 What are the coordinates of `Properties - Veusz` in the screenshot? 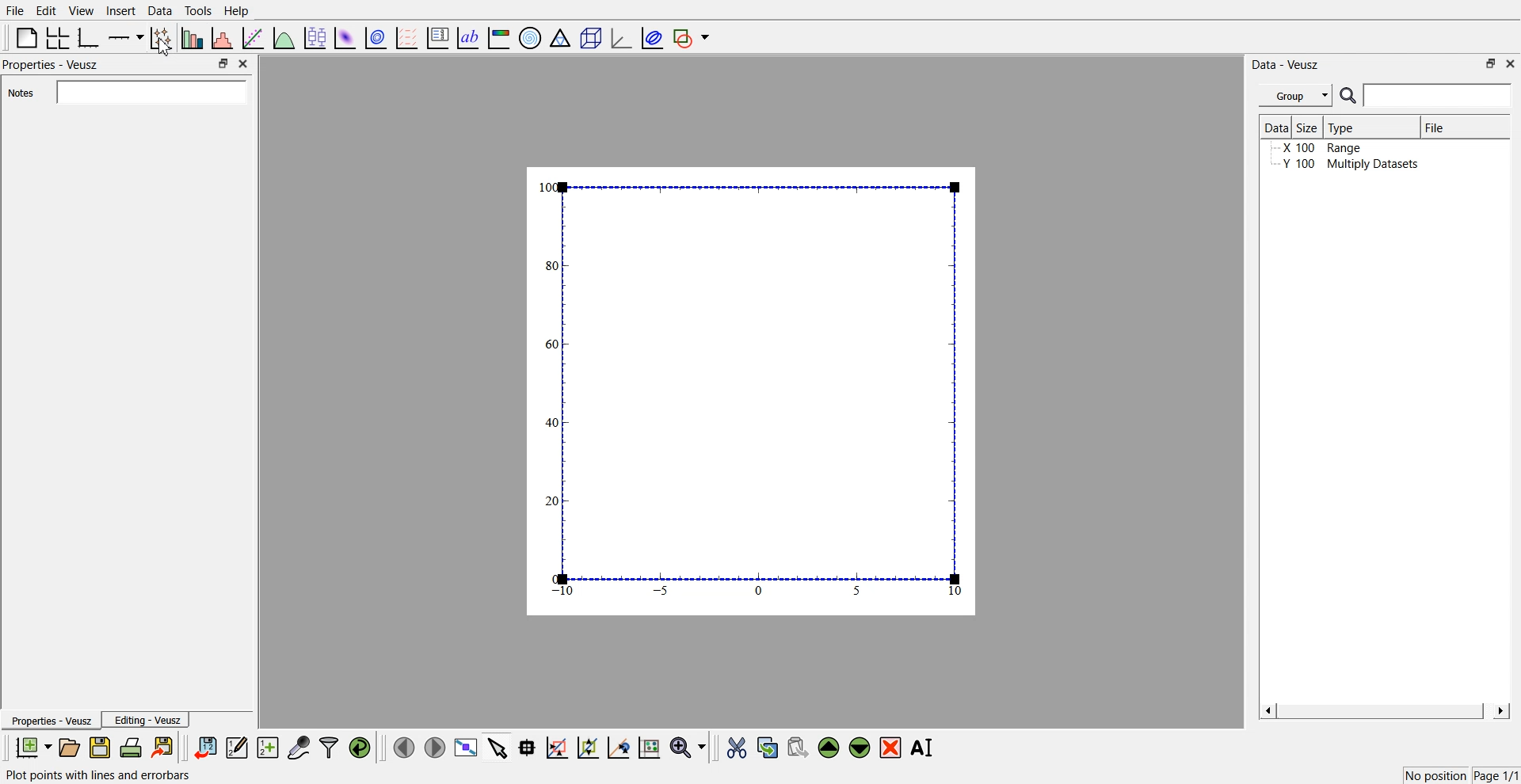 It's located at (55, 65).